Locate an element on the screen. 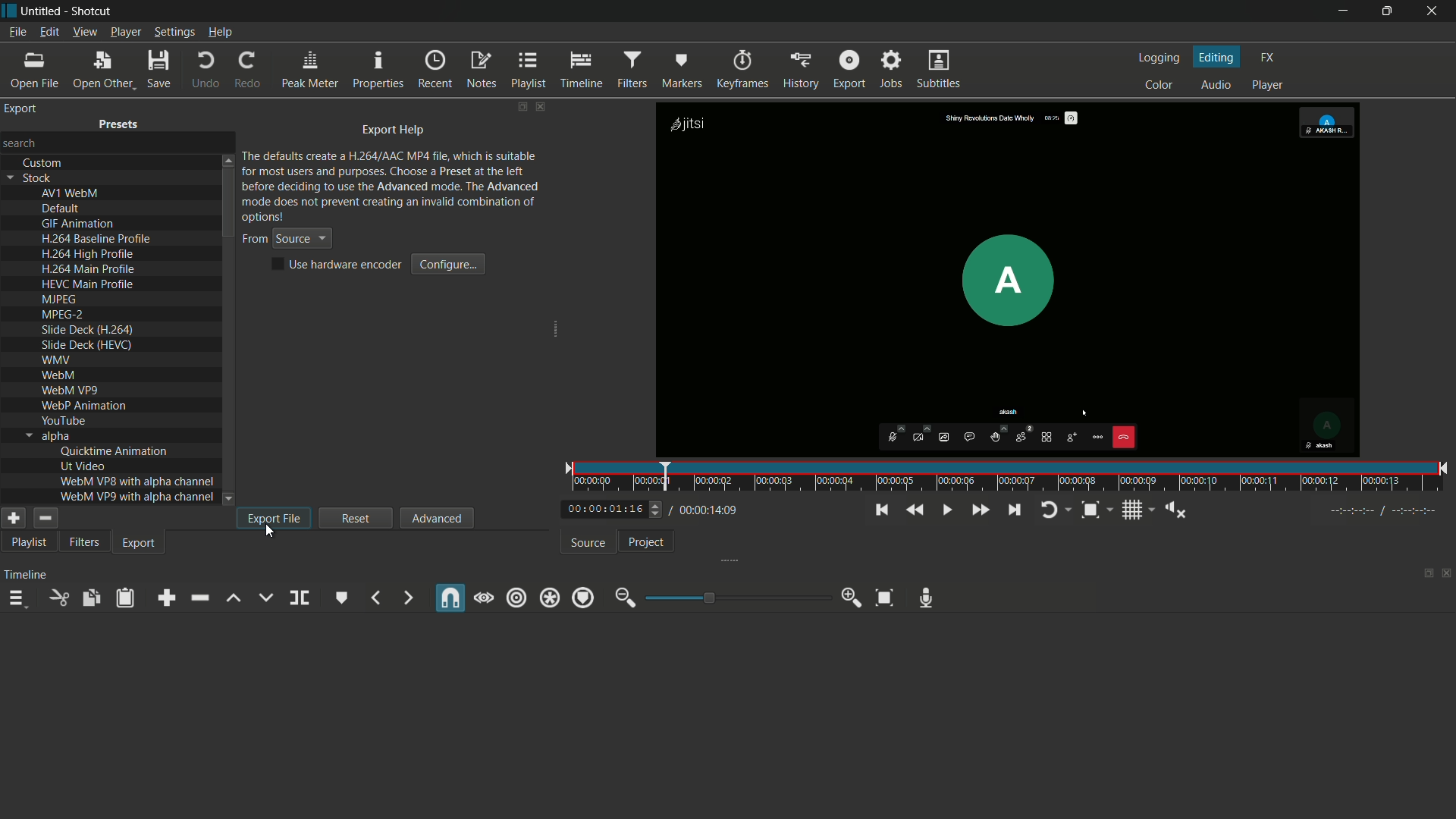 The image size is (1456, 819). open file is located at coordinates (33, 71).